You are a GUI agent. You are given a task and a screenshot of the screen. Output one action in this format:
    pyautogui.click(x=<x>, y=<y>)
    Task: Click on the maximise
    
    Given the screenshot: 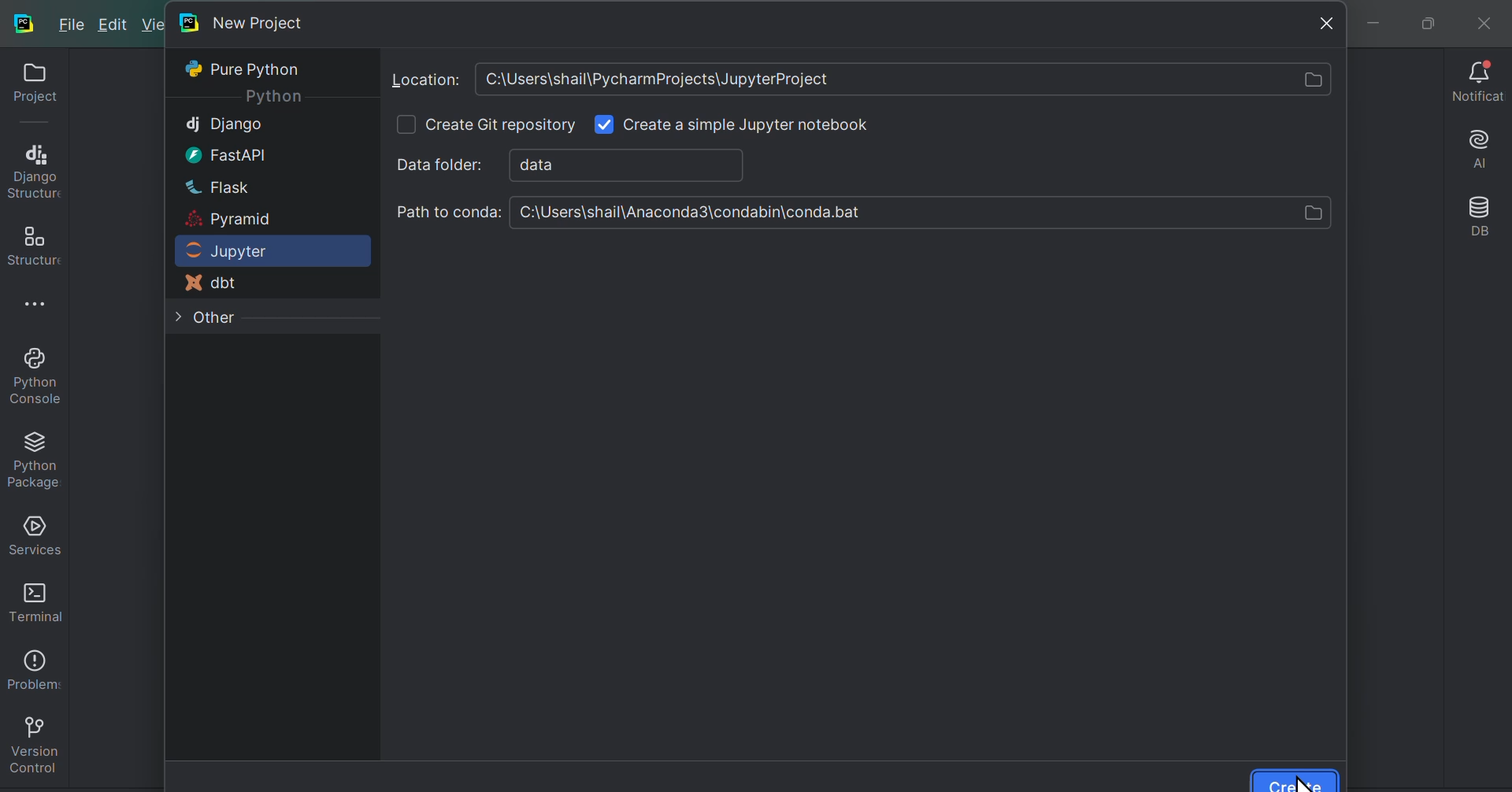 What is the action you would take?
    pyautogui.click(x=1421, y=20)
    